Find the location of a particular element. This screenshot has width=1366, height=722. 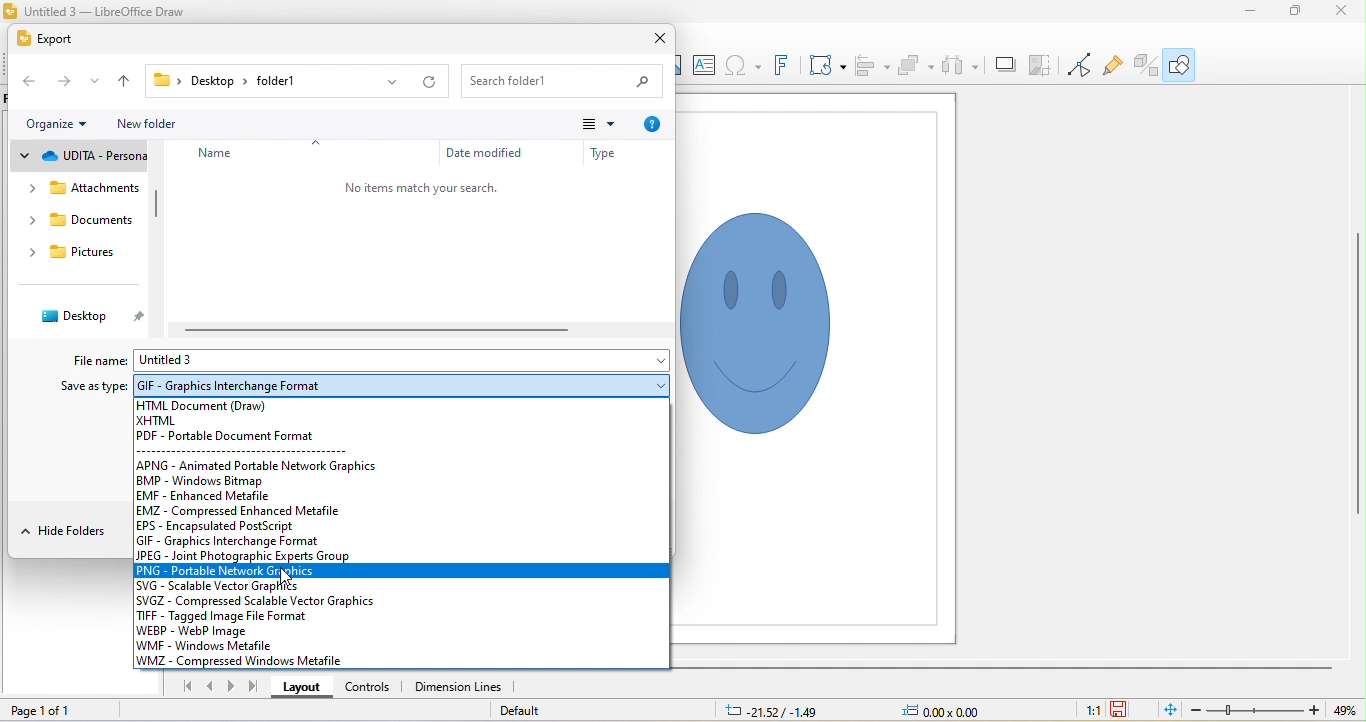

udita personal is located at coordinates (93, 157).